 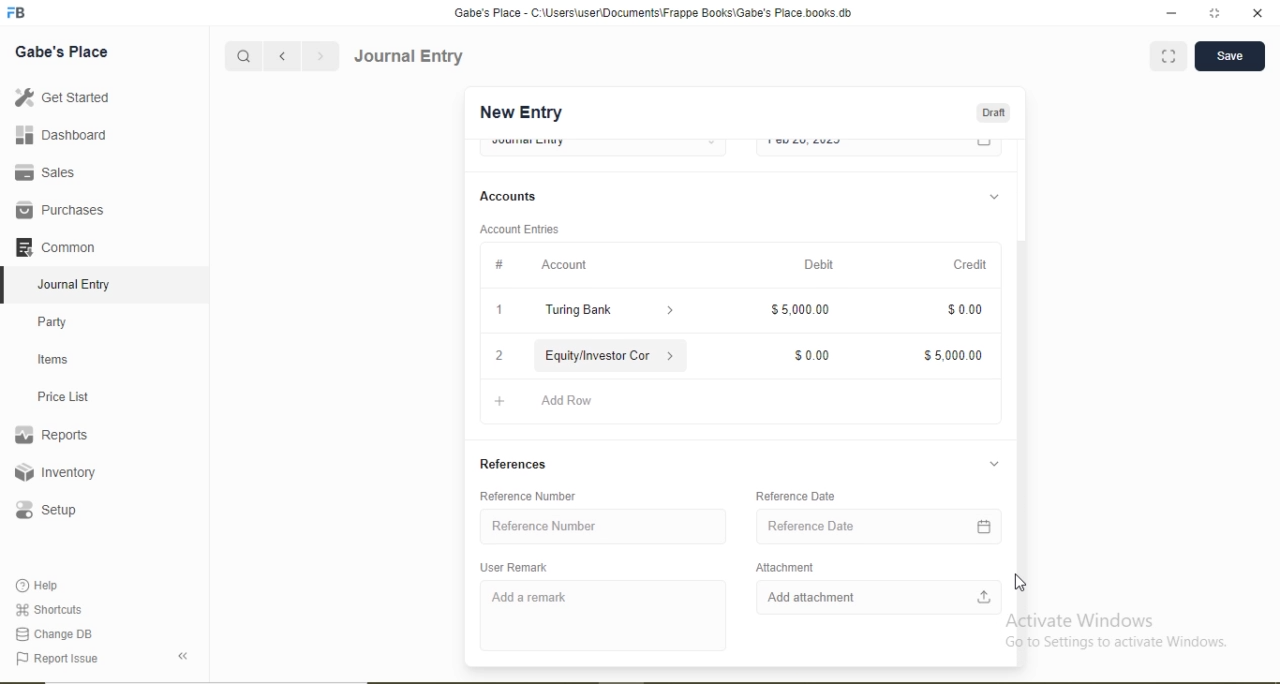 What do you see at coordinates (1169, 55) in the screenshot?
I see `Full screen` at bounding box center [1169, 55].